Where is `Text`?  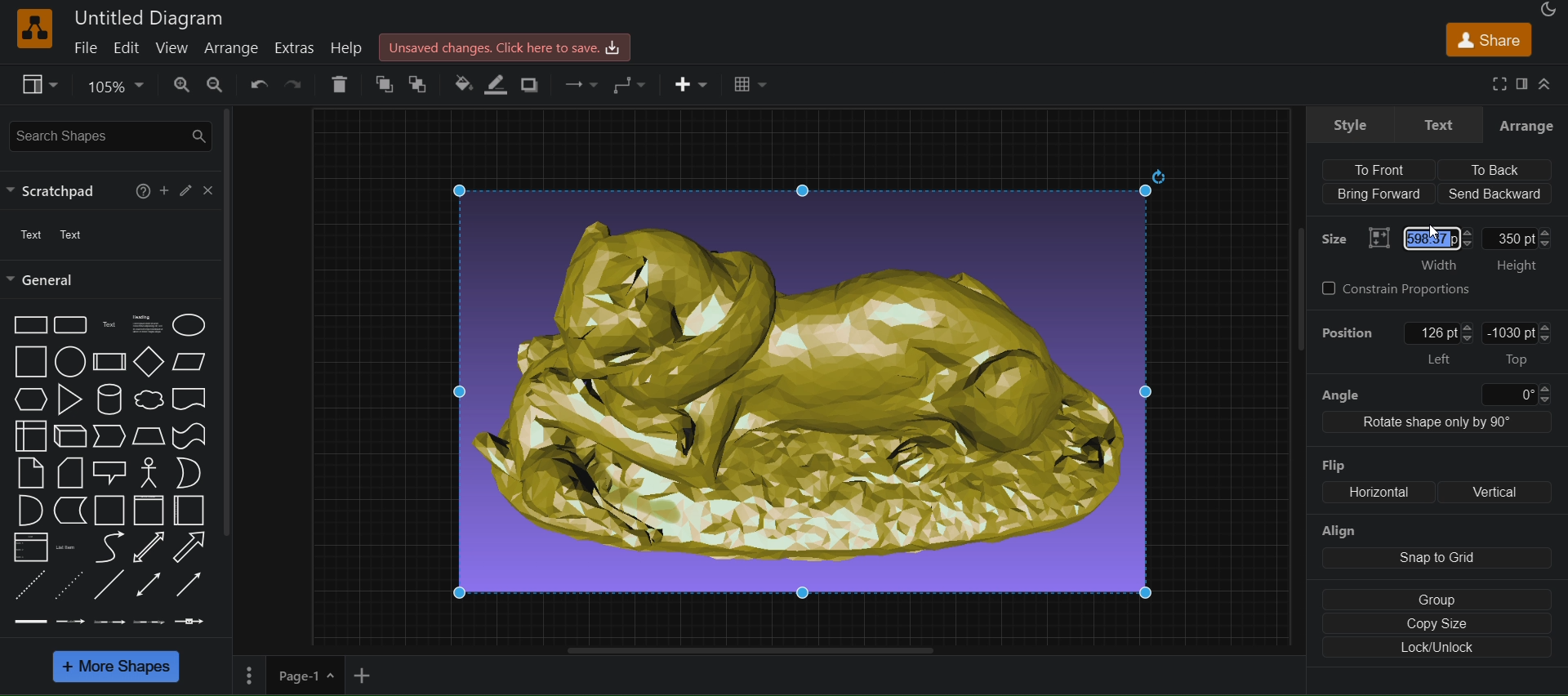
Text is located at coordinates (77, 234).